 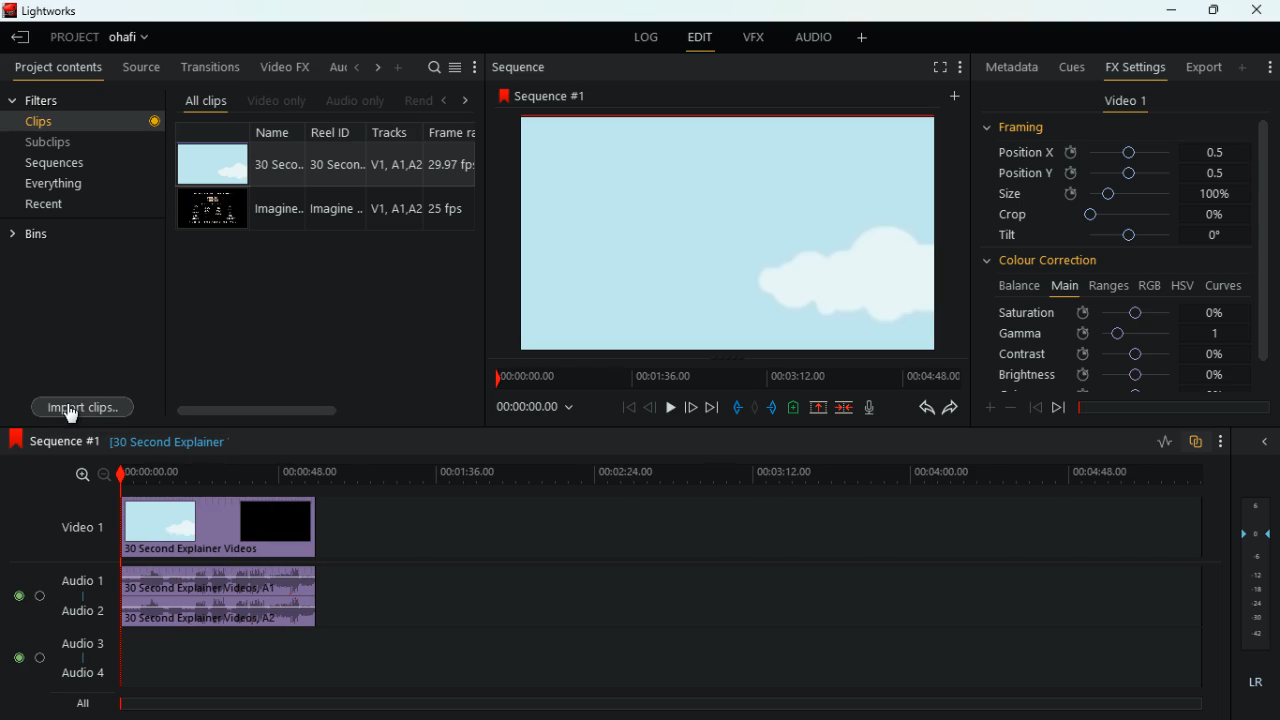 What do you see at coordinates (1133, 67) in the screenshot?
I see `fx settings` at bounding box center [1133, 67].